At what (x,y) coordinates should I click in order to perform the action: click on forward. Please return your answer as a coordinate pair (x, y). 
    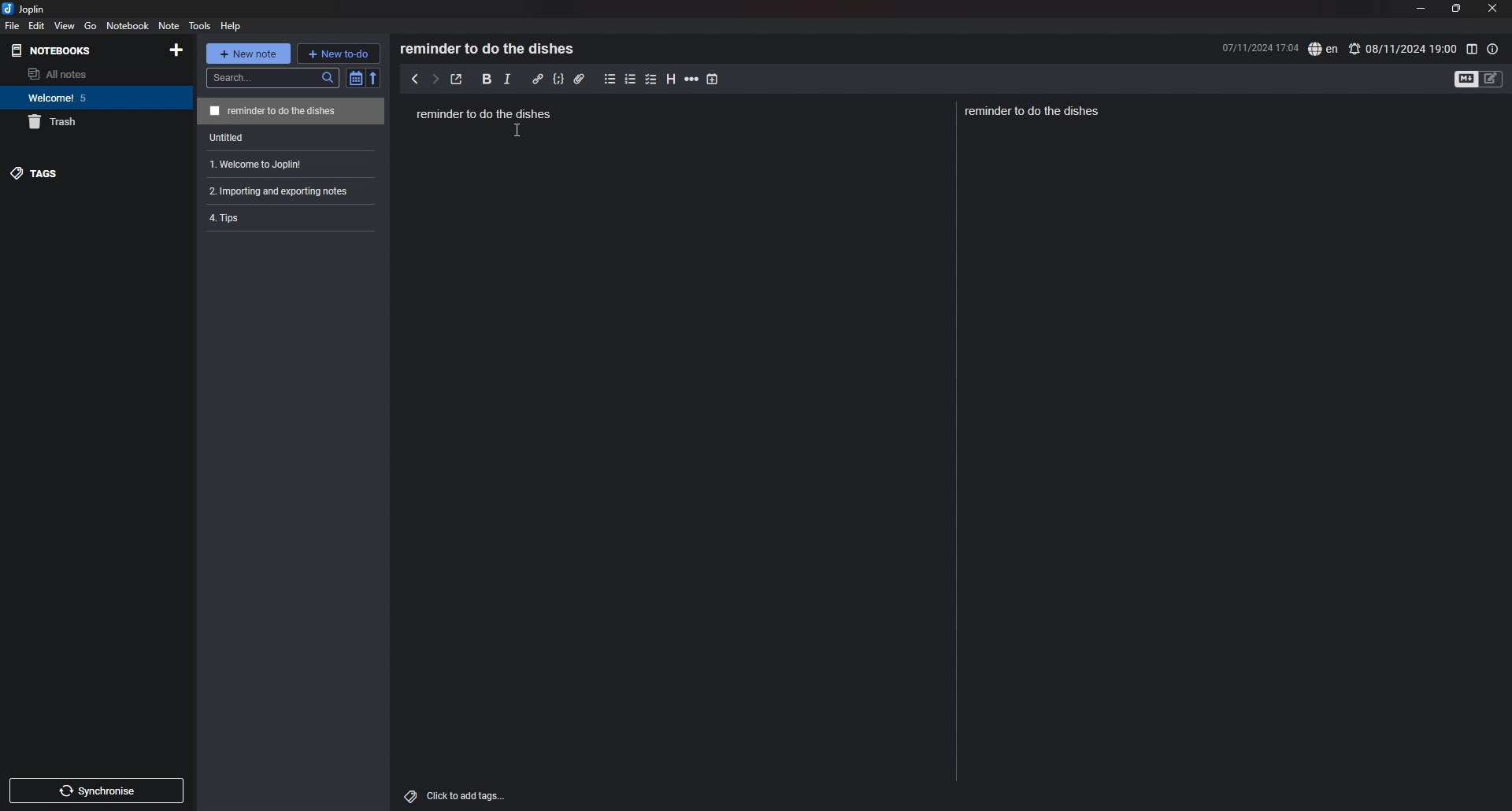
    Looking at the image, I should click on (435, 80).